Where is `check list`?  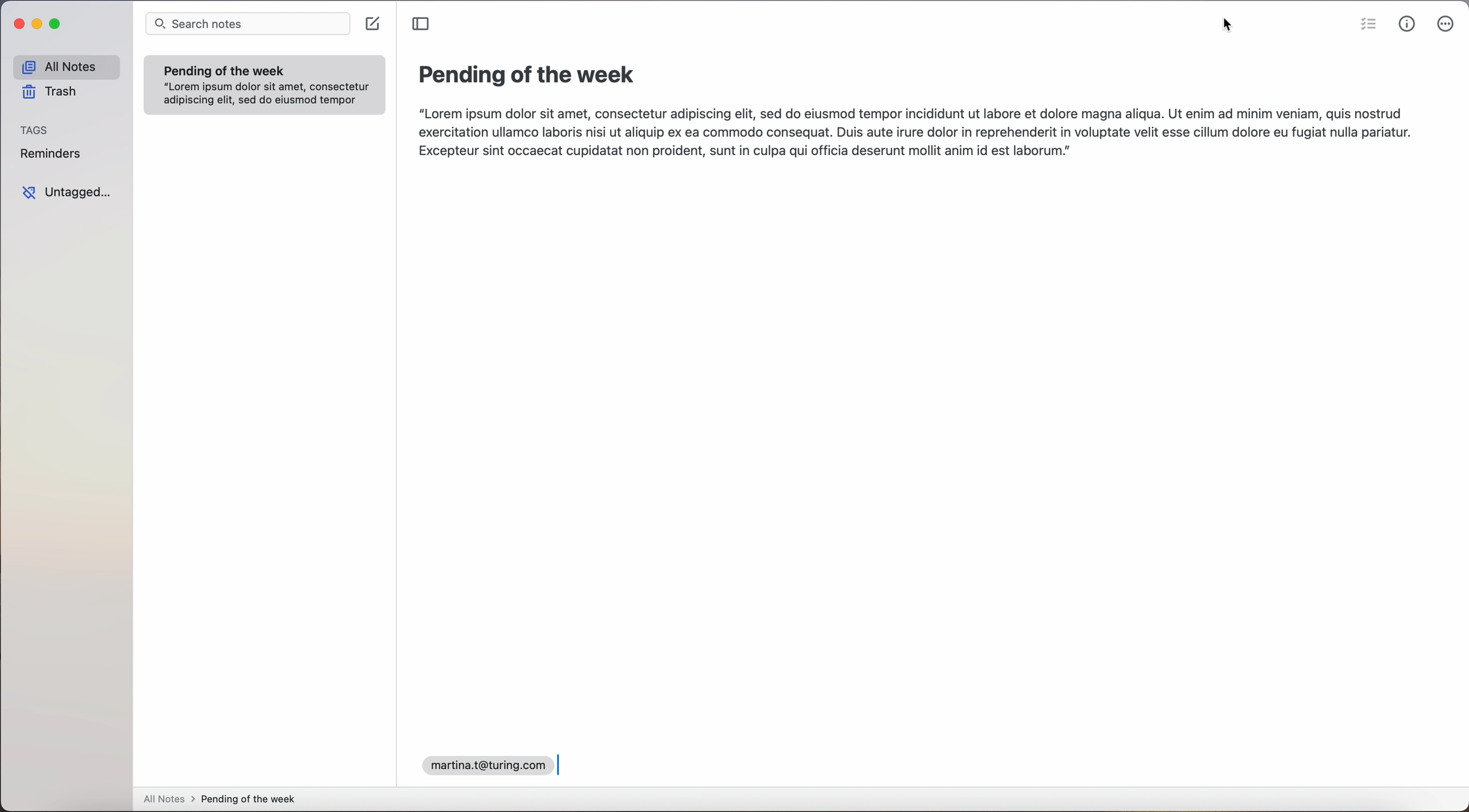
check list is located at coordinates (1365, 25).